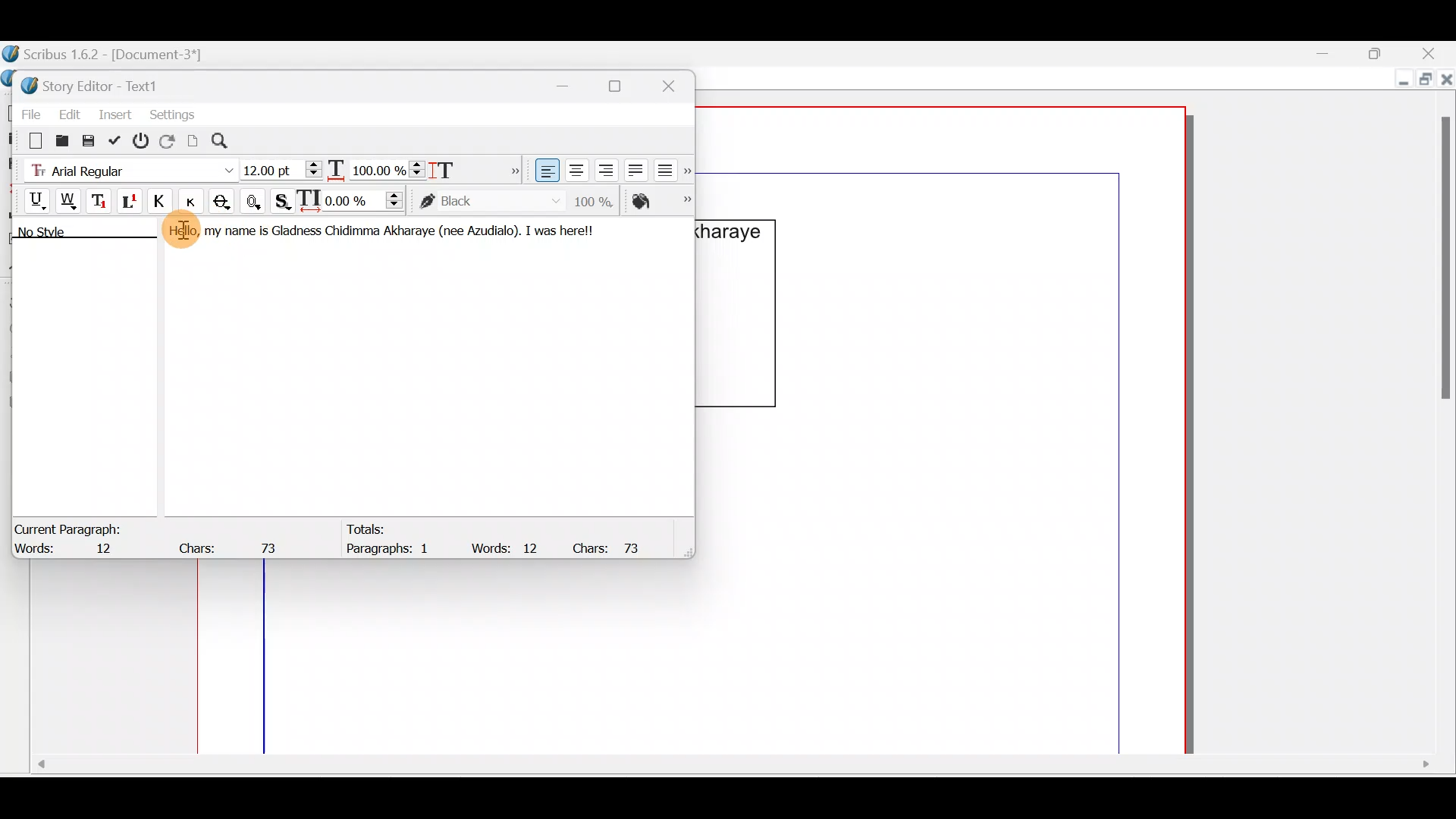 The height and width of the screenshot is (819, 1456). What do you see at coordinates (193, 139) in the screenshot?
I see `Update text frame` at bounding box center [193, 139].